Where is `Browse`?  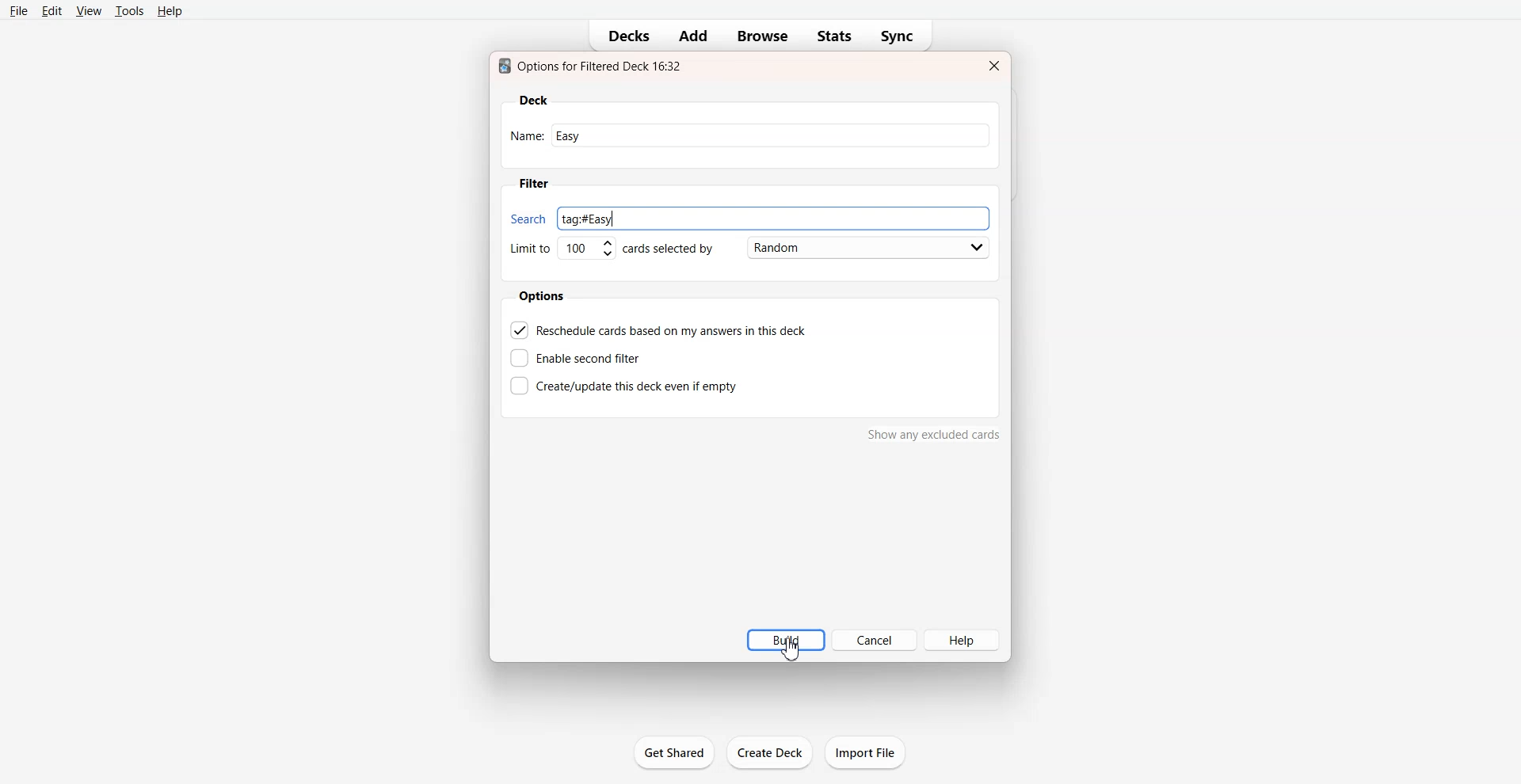 Browse is located at coordinates (764, 36).